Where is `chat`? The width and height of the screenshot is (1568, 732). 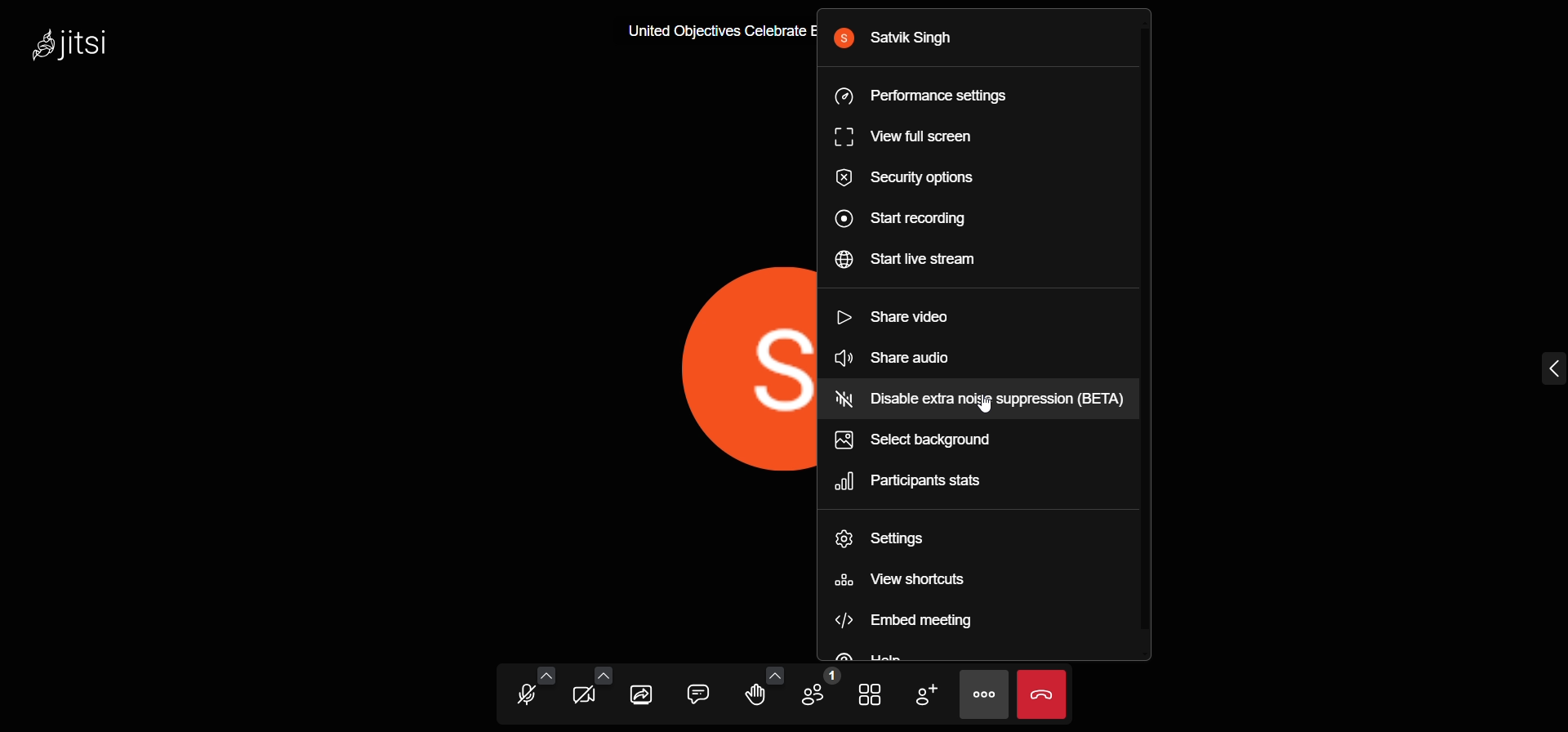 chat is located at coordinates (697, 692).